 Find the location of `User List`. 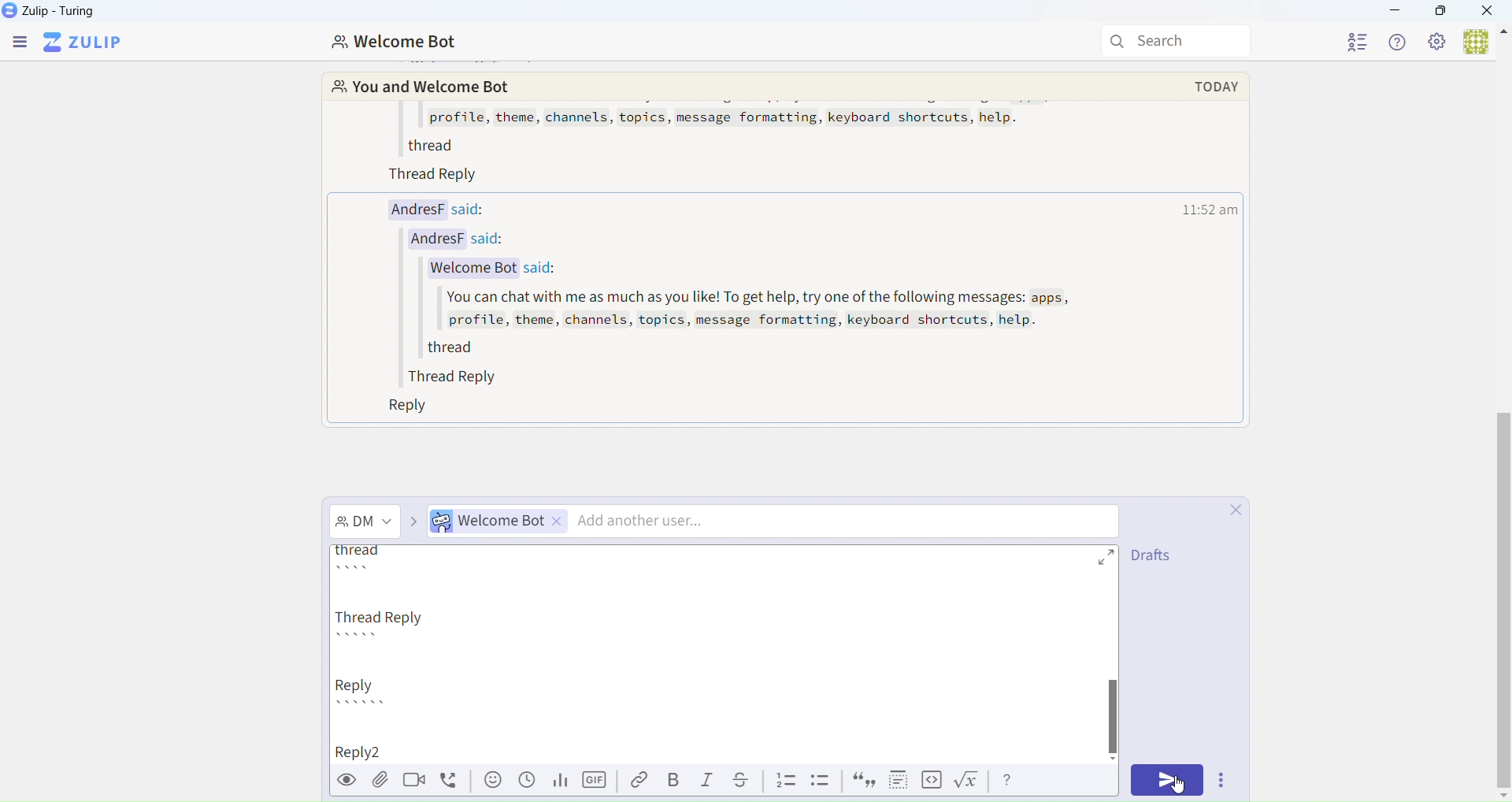

User List is located at coordinates (1362, 43).